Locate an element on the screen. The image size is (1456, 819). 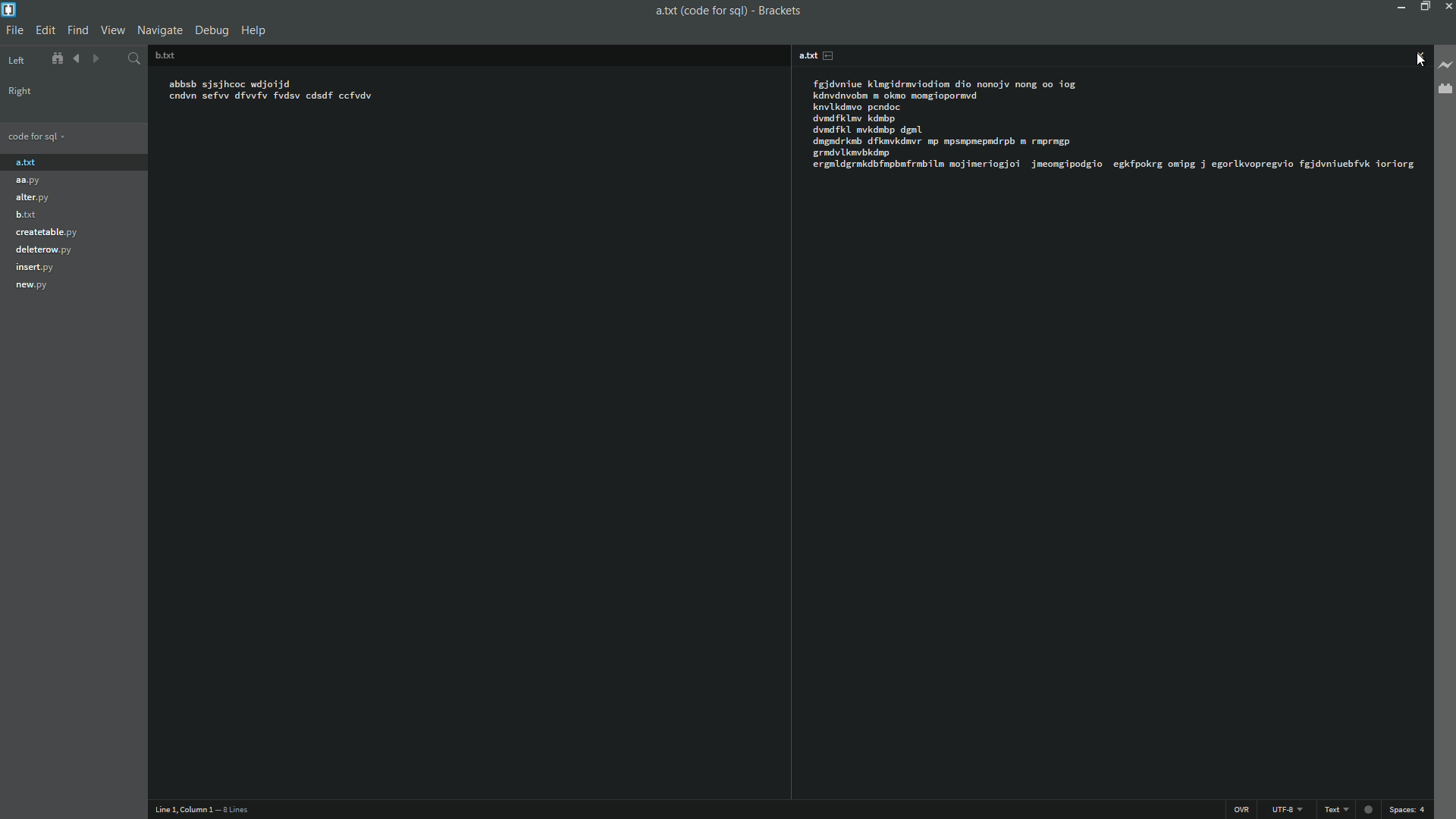
warnings is located at coordinates (1367, 808).